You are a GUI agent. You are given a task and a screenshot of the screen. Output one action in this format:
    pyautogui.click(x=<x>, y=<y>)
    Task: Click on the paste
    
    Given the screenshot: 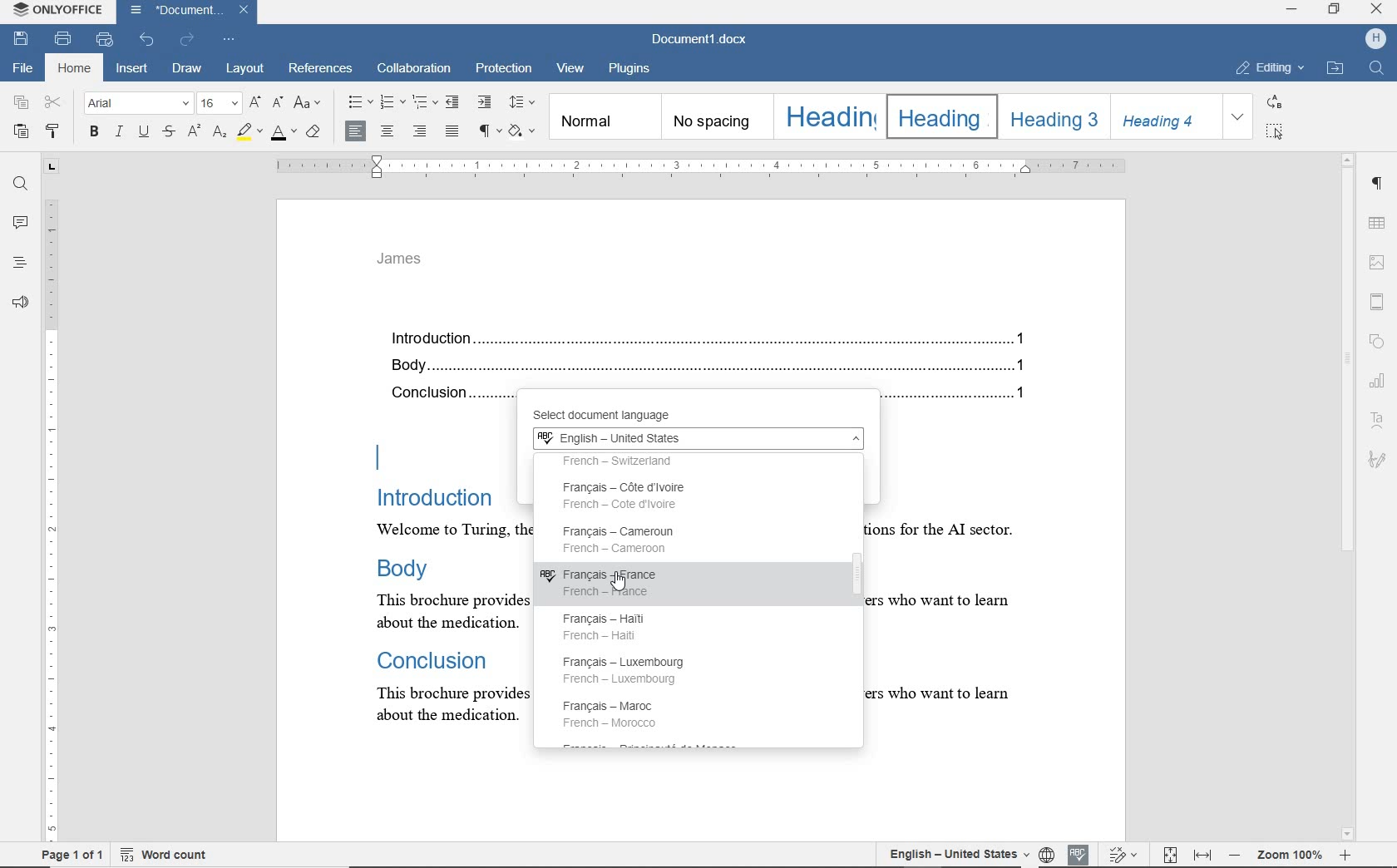 What is the action you would take?
    pyautogui.click(x=19, y=131)
    